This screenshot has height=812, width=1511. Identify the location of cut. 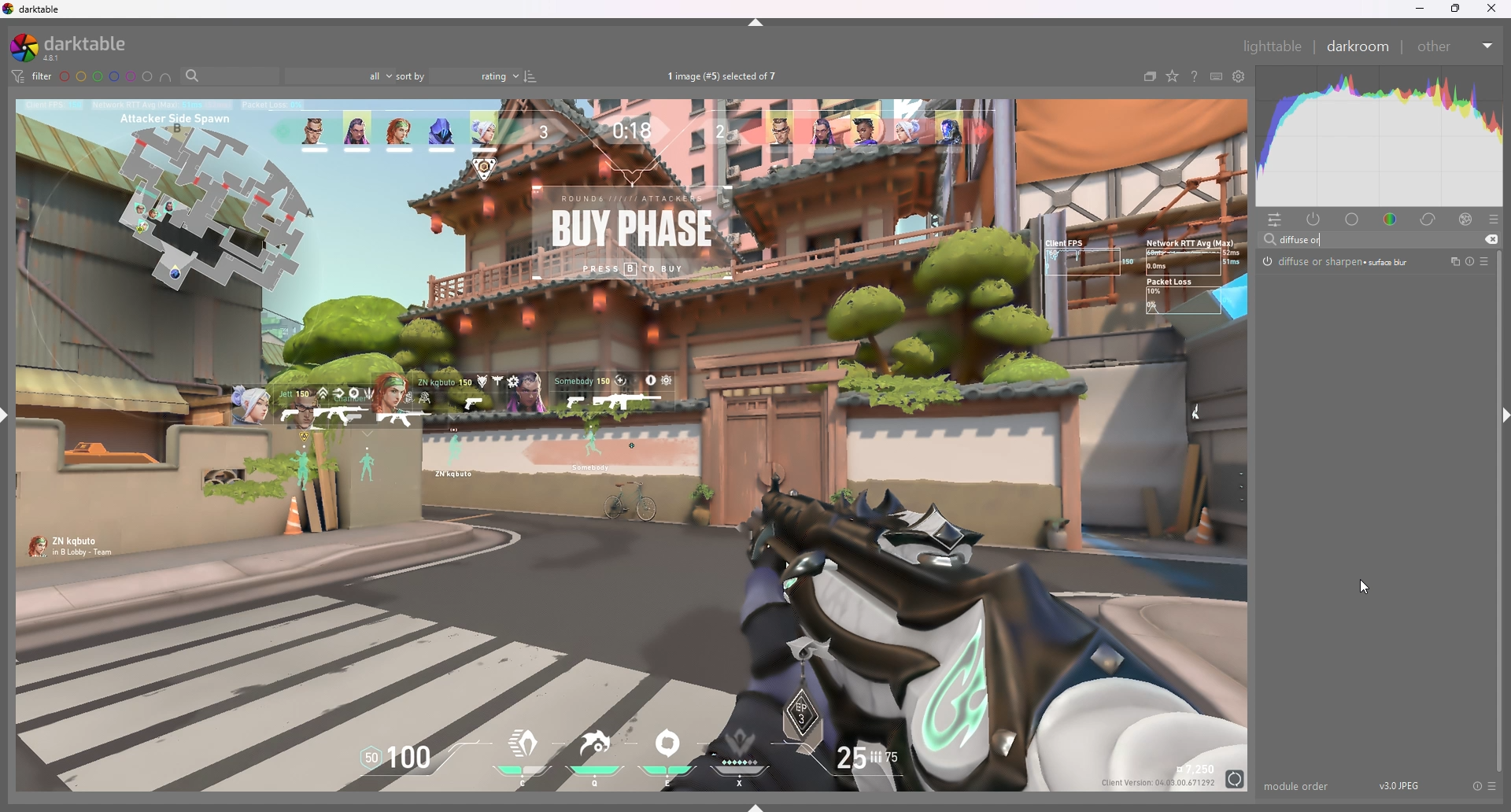
(1491, 239).